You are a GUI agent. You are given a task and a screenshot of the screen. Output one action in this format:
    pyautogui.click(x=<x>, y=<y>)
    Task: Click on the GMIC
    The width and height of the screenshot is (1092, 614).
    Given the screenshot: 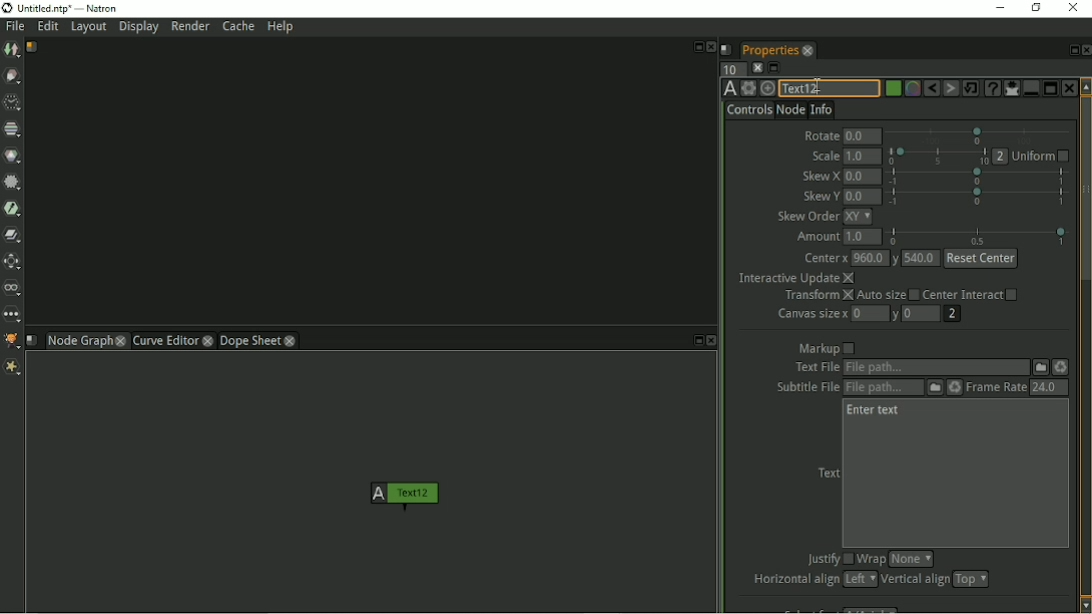 What is the action you would take?
    pyautogui.click(x=12, y=341)
    